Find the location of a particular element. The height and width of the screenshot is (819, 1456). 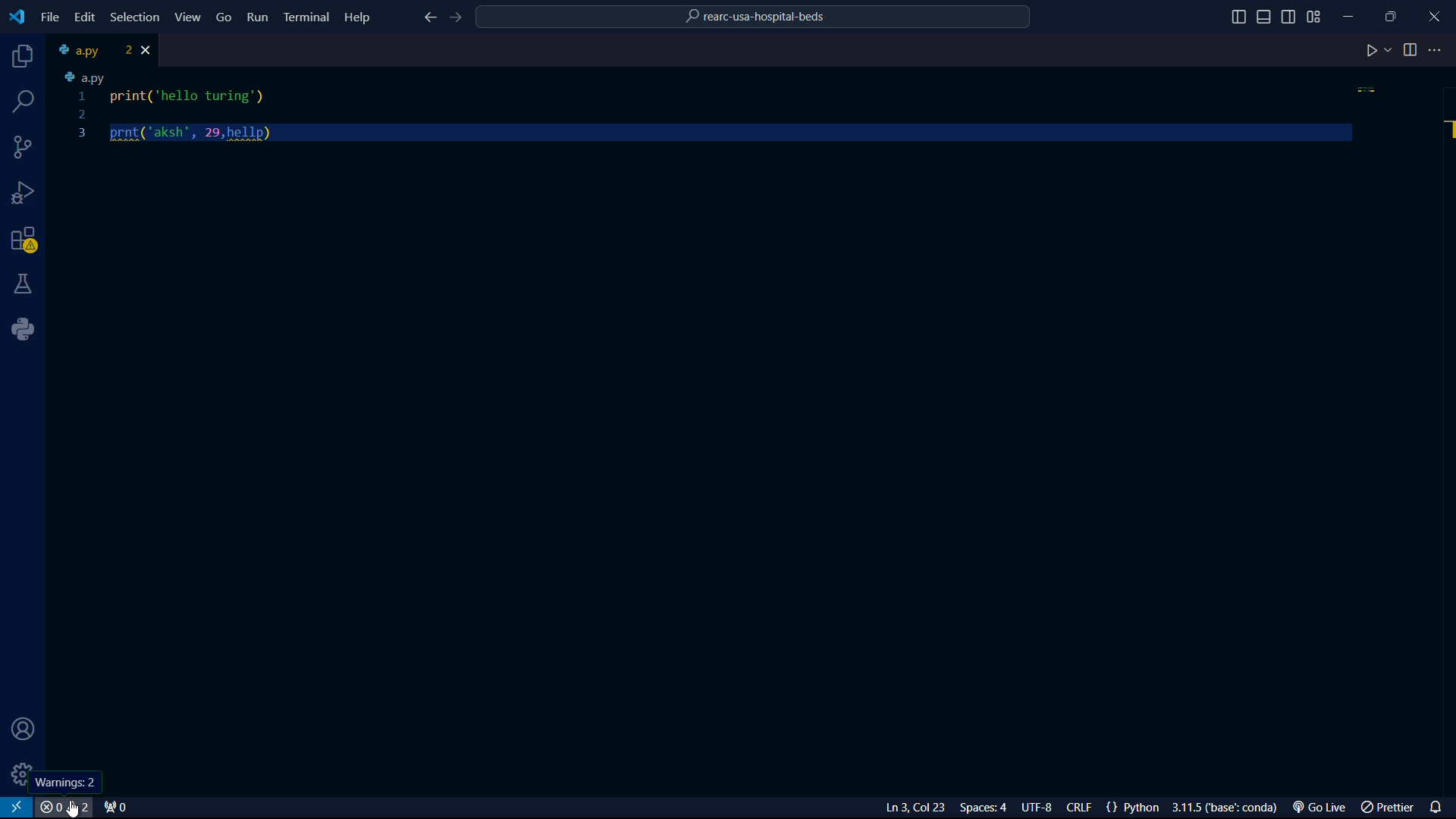

labs is located at coordinates (24, 283).